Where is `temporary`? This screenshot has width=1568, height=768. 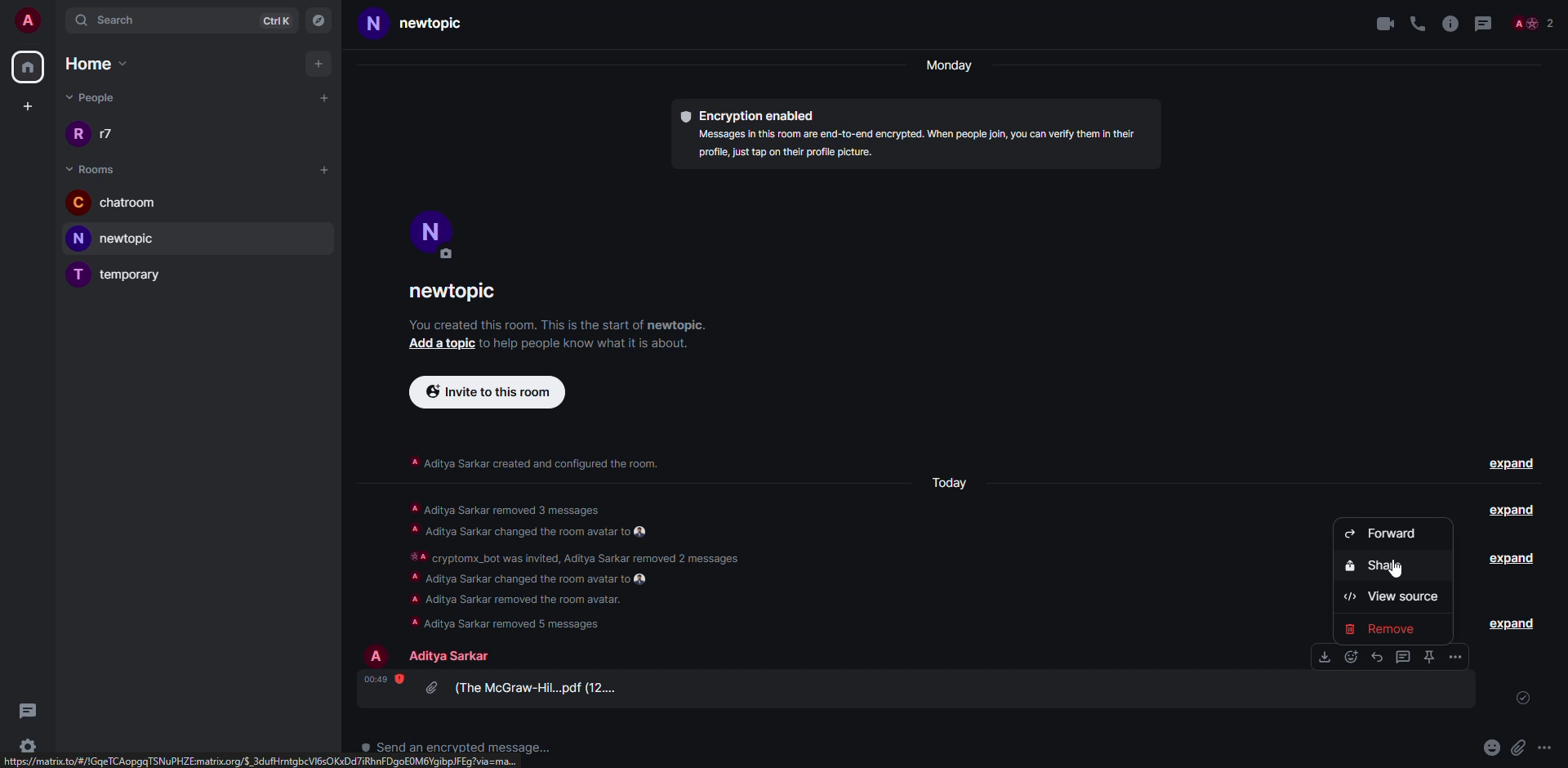
temporary is located at coordinates (125, 274).